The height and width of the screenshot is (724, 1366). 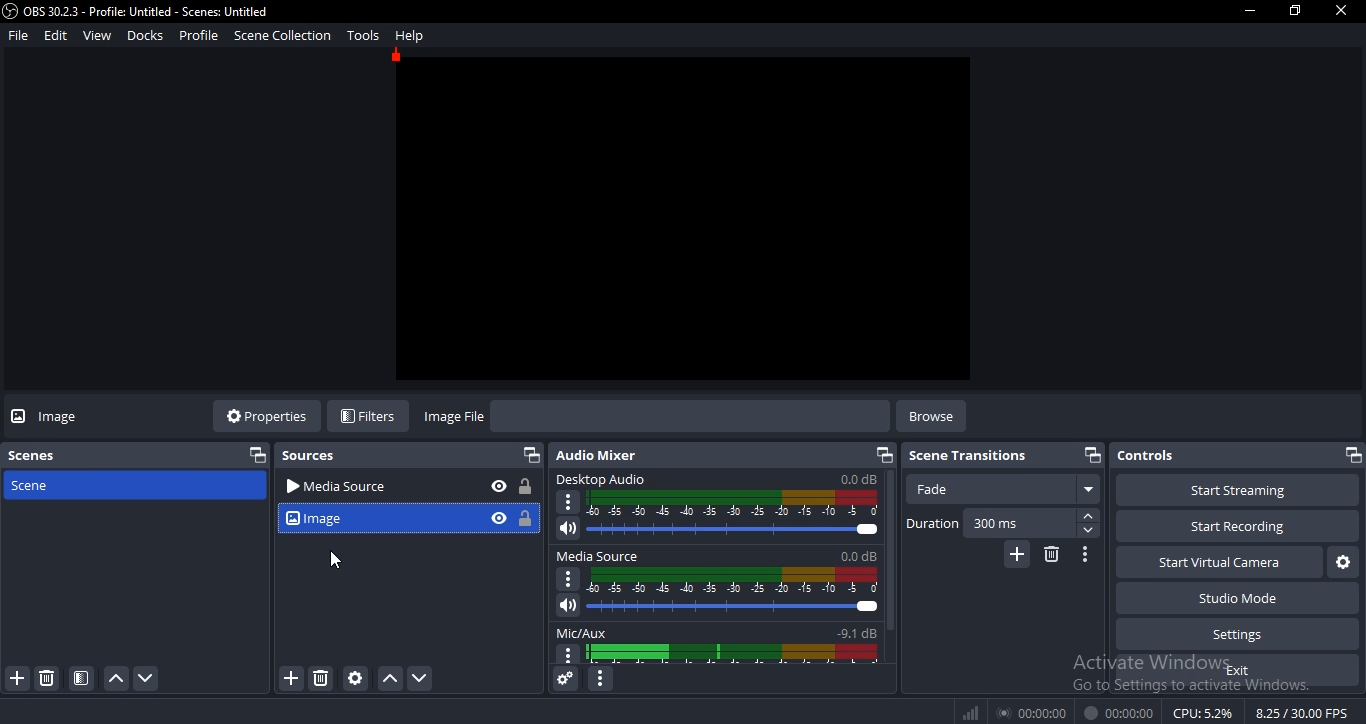 I want to click on volume slider, so click(x=713, y=529).